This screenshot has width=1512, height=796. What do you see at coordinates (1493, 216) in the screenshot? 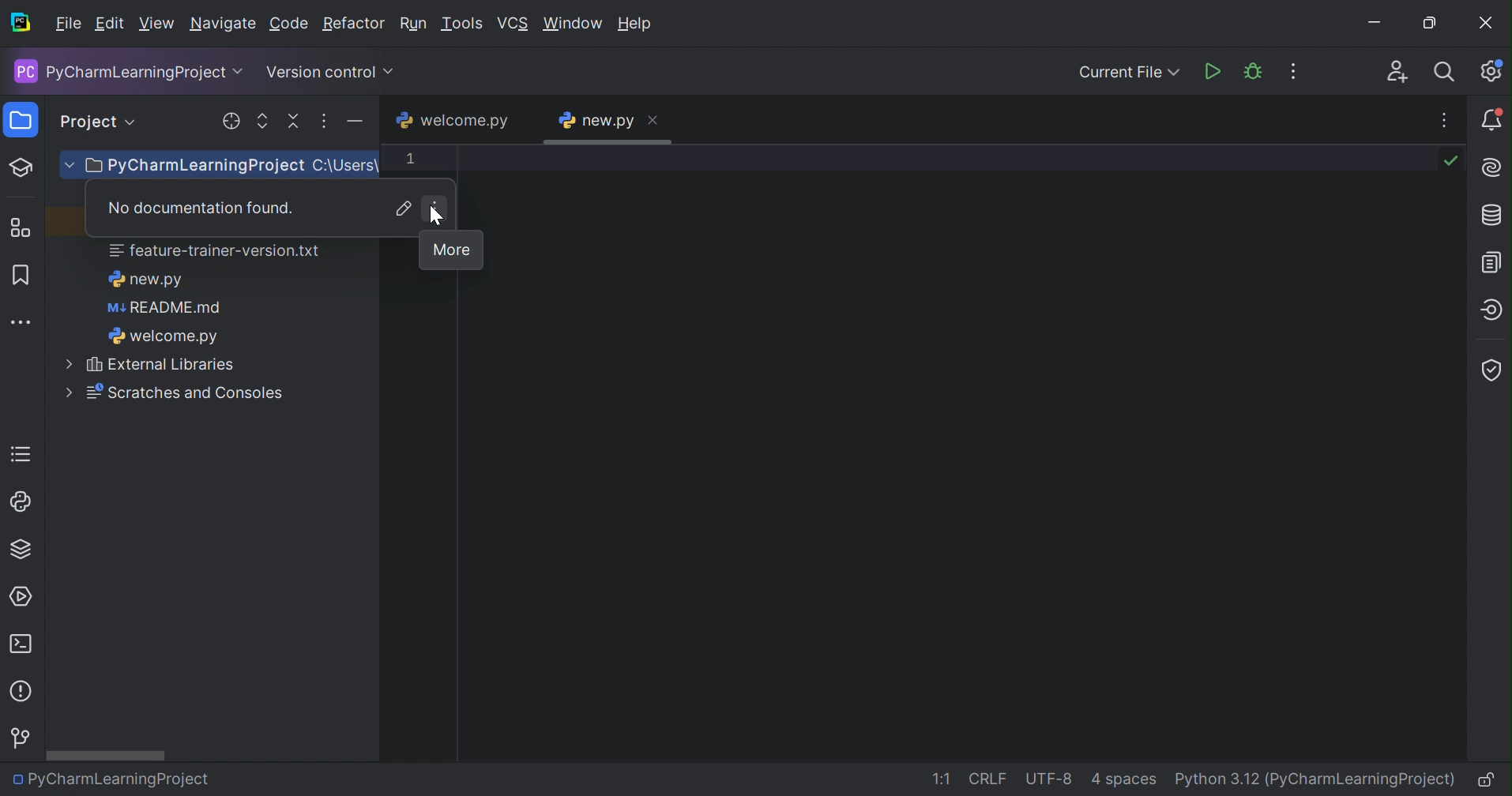
I see `Database` at bounding box center [1493, 216].